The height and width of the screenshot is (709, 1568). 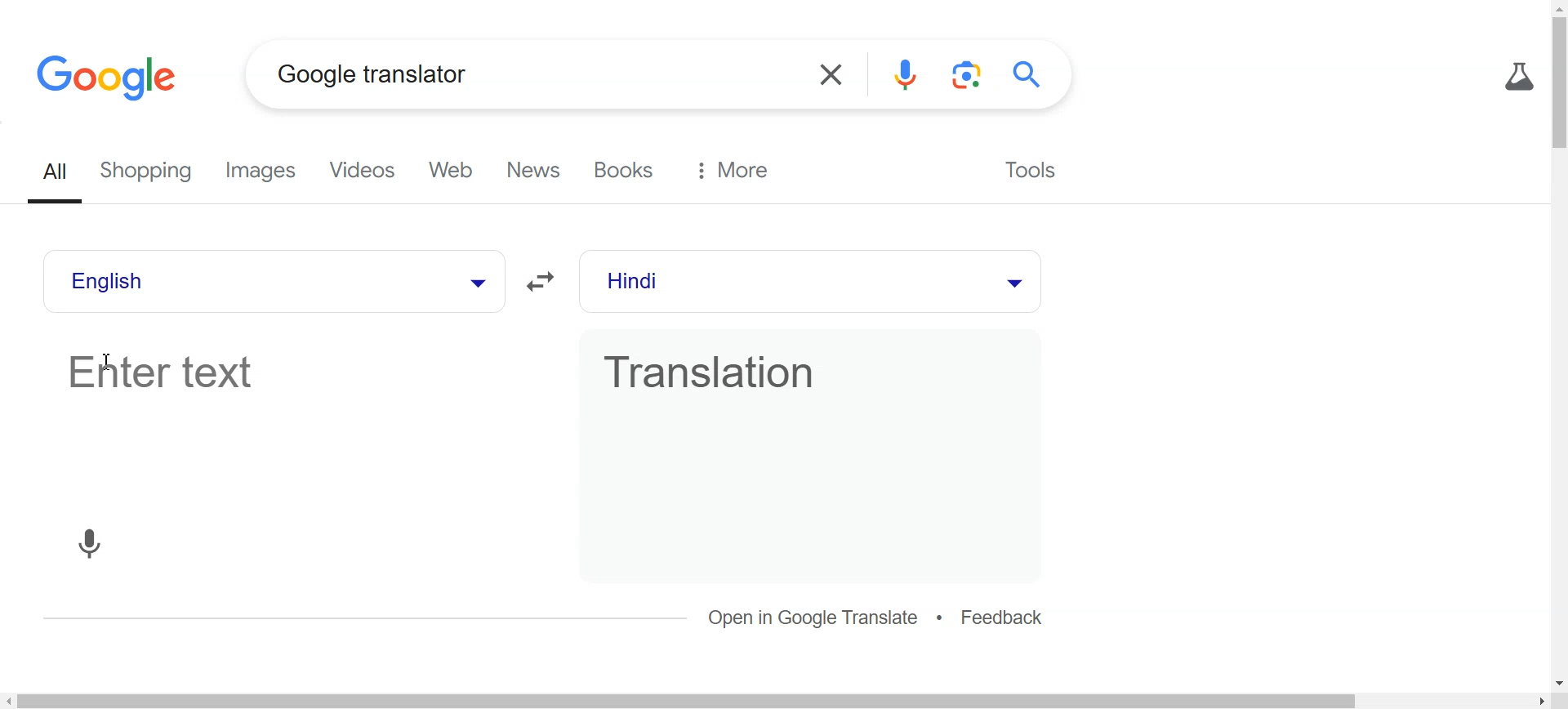 What do you see at coordinates (474, 281) in the screenshot?
I see `Drop down box` at bounding box center [474, 281].